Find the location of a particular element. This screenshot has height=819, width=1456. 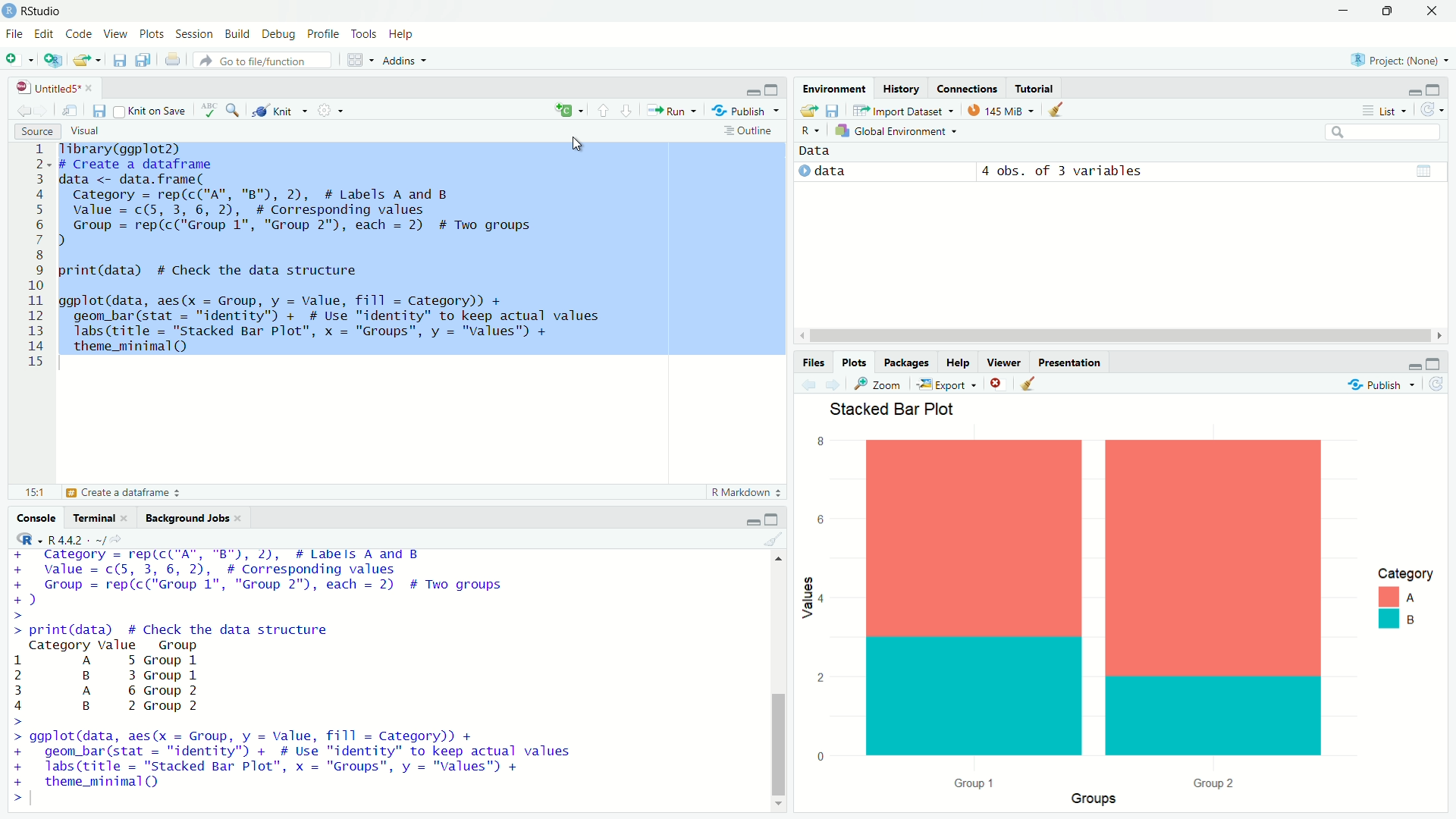

Insert new code chunk is located at coordinates (566, 108).